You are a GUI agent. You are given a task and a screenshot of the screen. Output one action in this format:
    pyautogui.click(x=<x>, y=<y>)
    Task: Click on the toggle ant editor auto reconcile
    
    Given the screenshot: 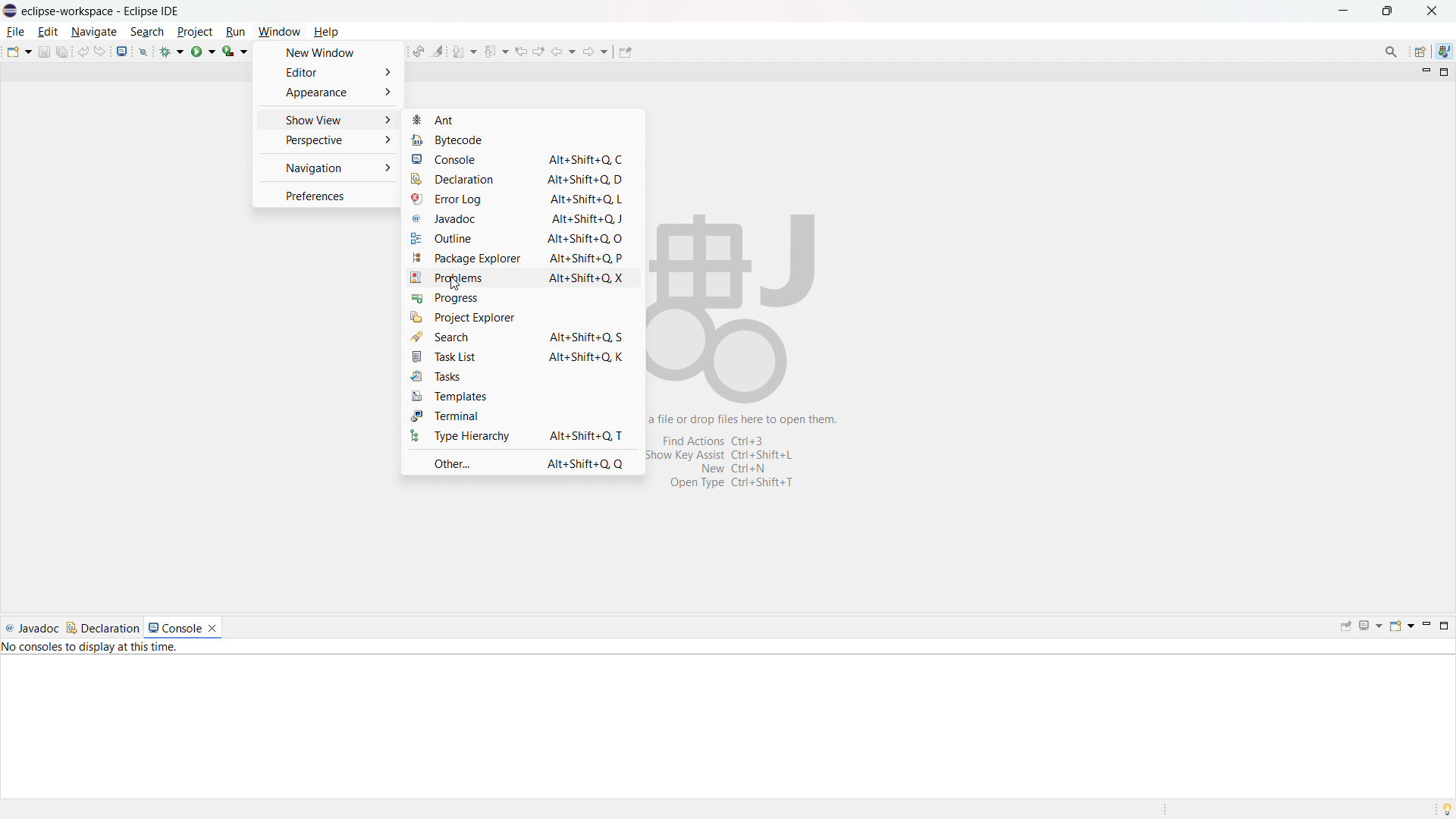 What is the action you would take?
    pyautogui.click(x=419, y=52)
    